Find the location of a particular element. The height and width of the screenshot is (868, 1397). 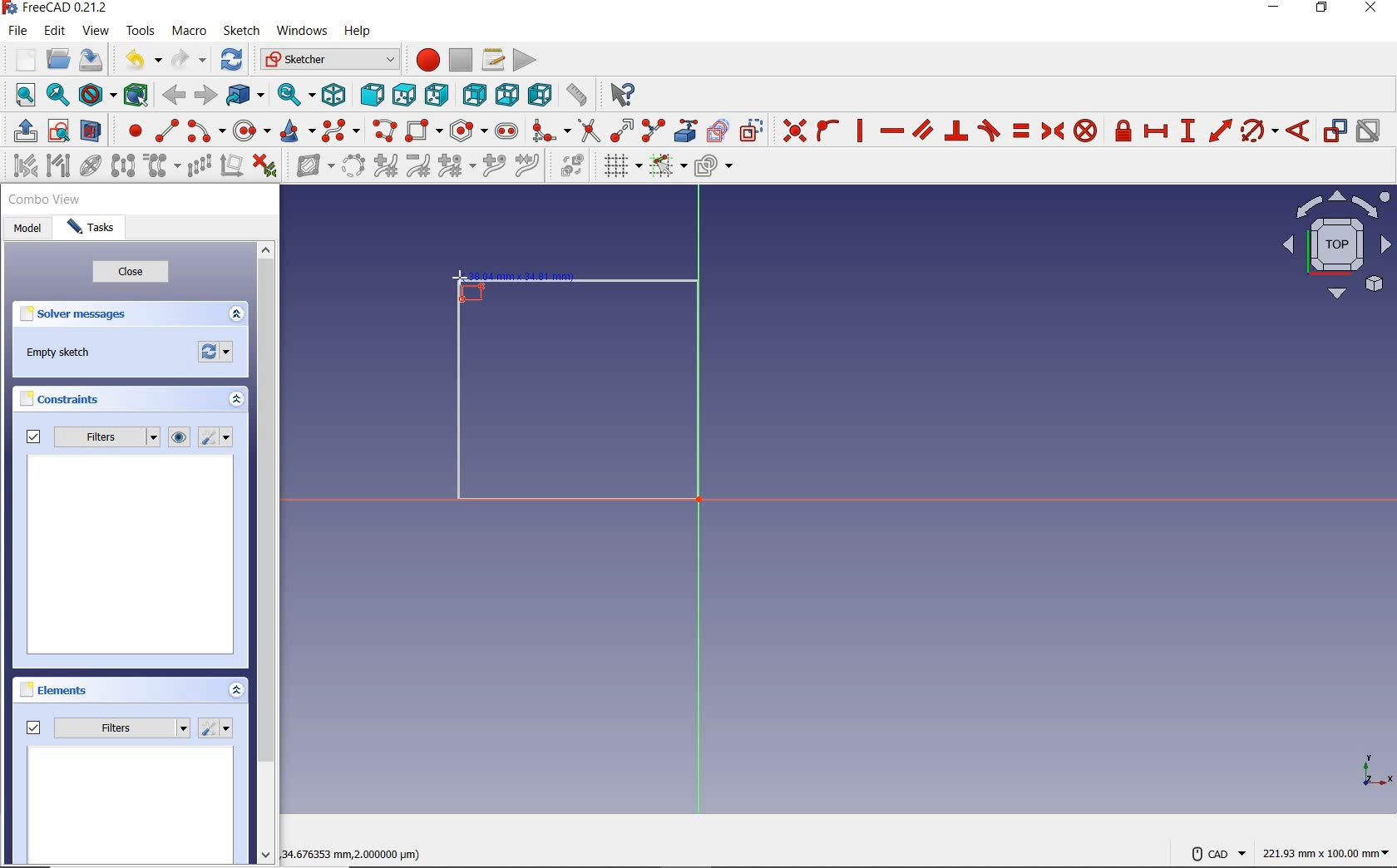

FreeCAD 0.21.2 is located at coordinates (53, 9).